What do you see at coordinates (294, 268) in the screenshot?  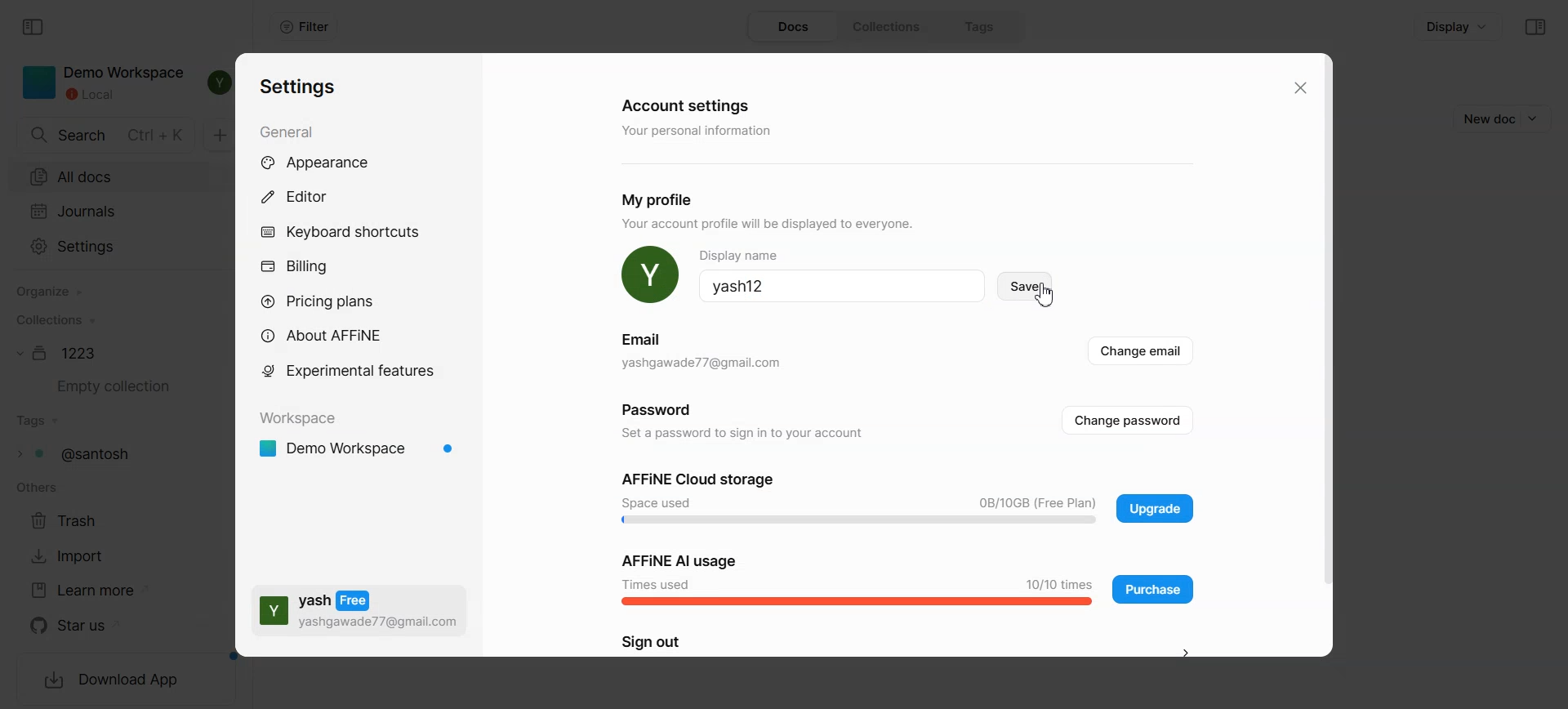 I see `Billing` at bounding box center [294, 268].